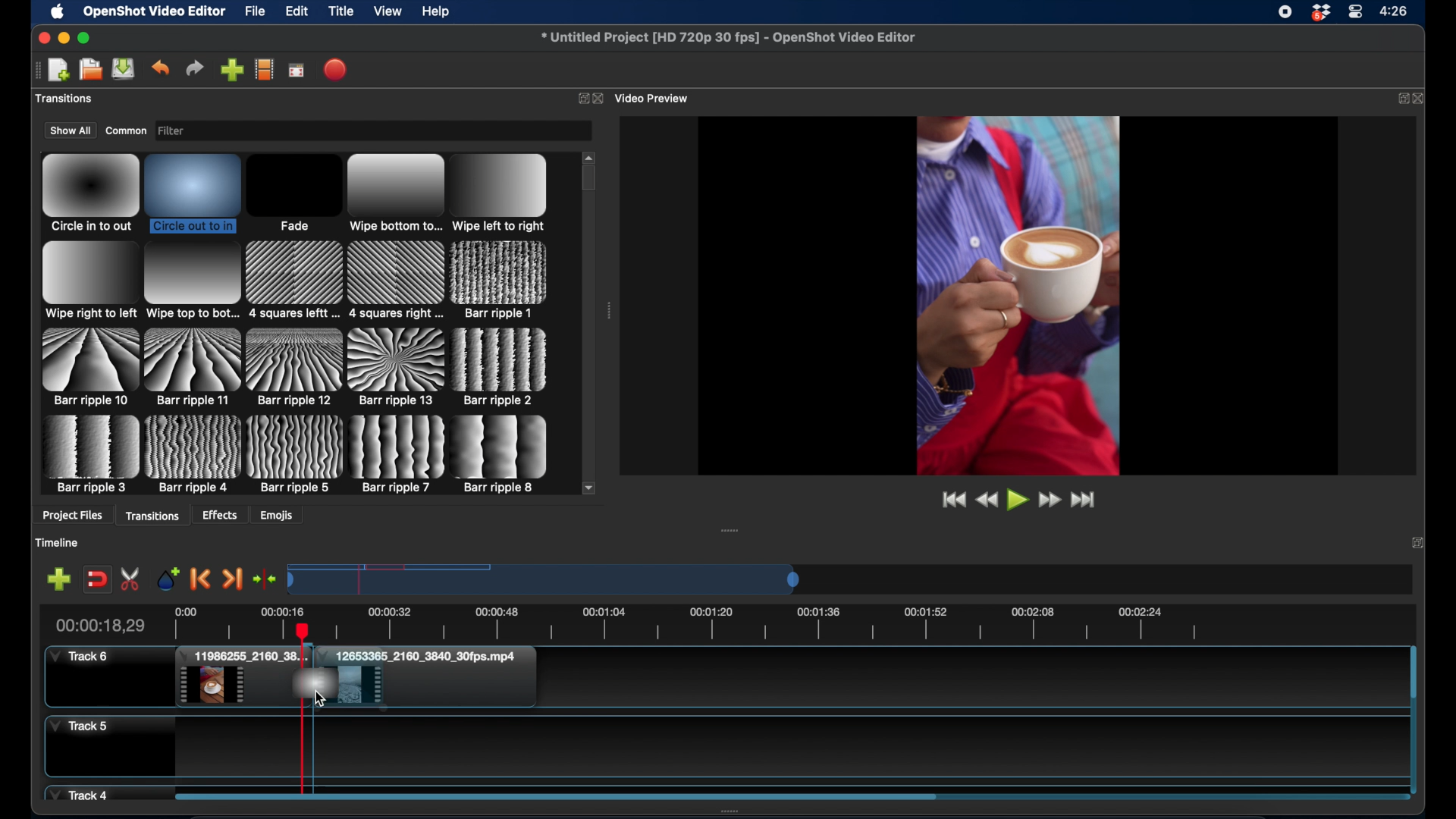 The height and width of the screenshot is (819, 1456). Describe the element at coordinates (241, 678) in the screenshot. I see `clip` at that location.